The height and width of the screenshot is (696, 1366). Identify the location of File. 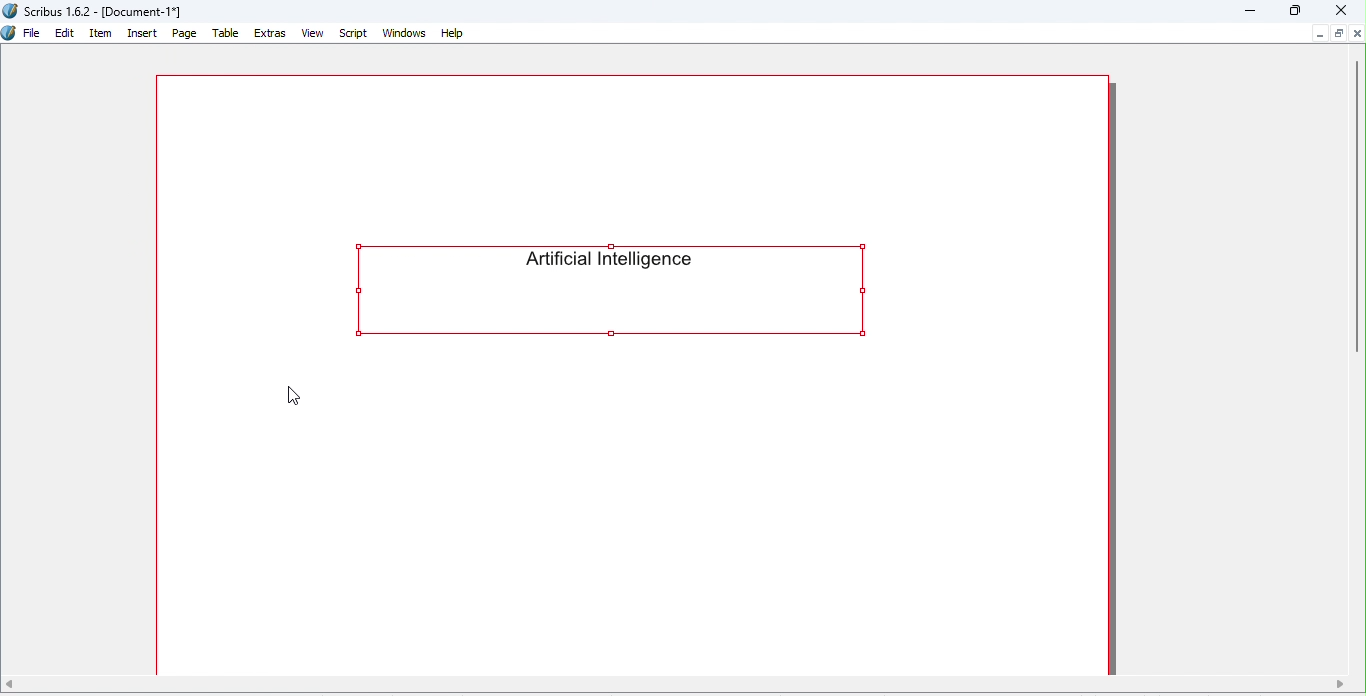
(32, 33).